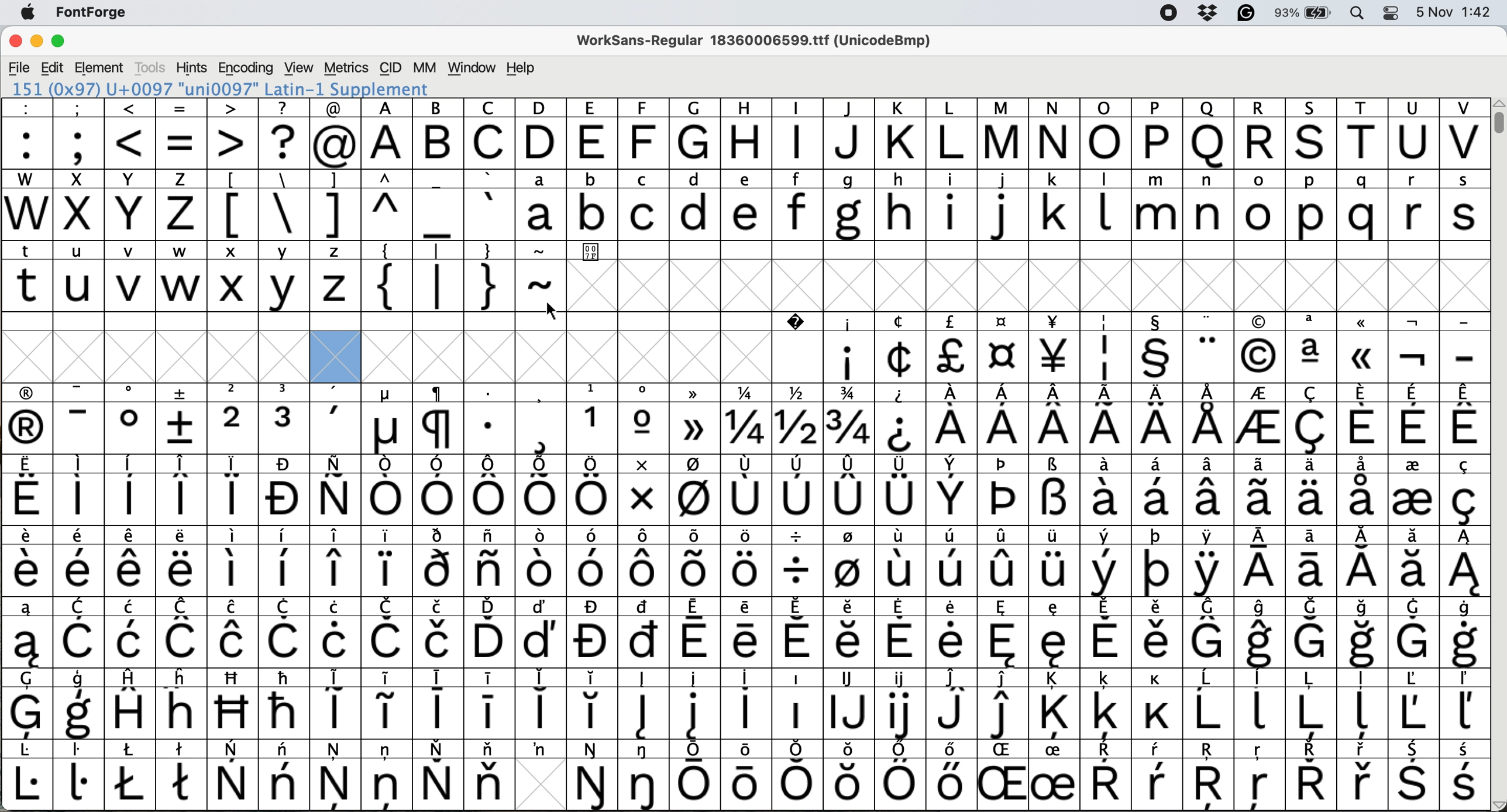 This screenshot has height=812, width=1507. I want to click on symbol, so click(592, 490).